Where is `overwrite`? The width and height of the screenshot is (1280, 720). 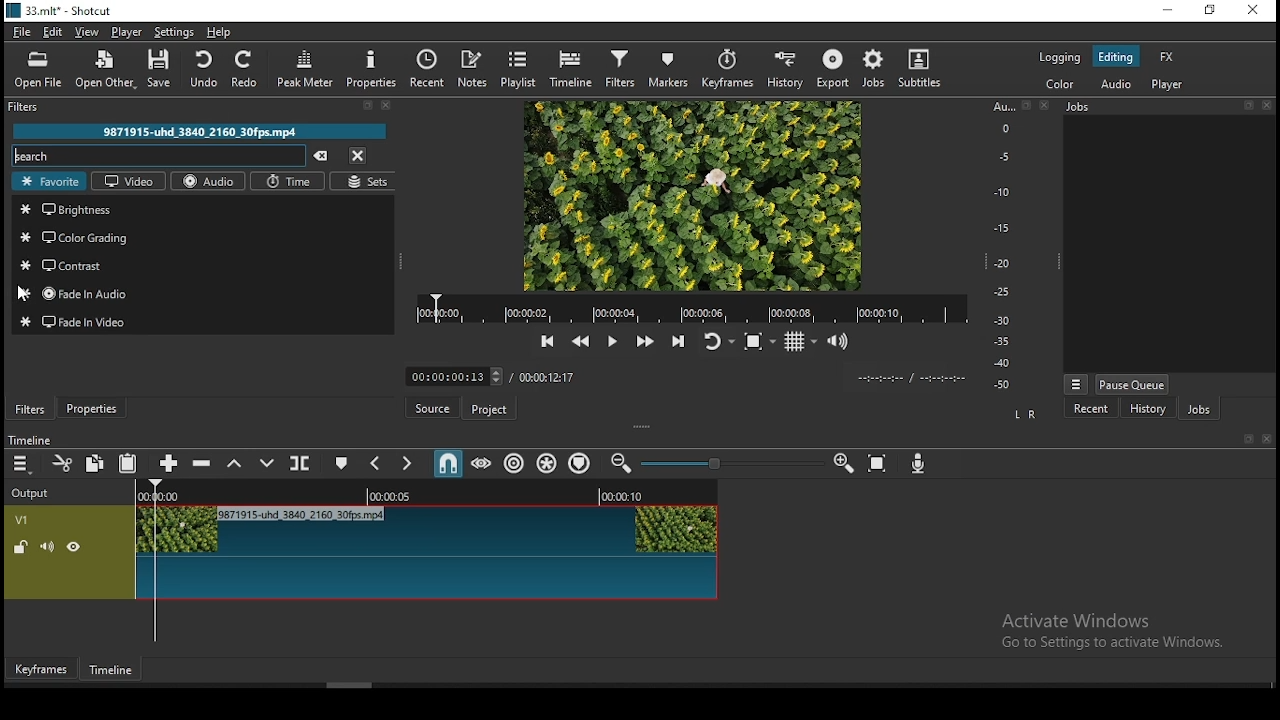 overwrite is located at coordinates (265, 460).